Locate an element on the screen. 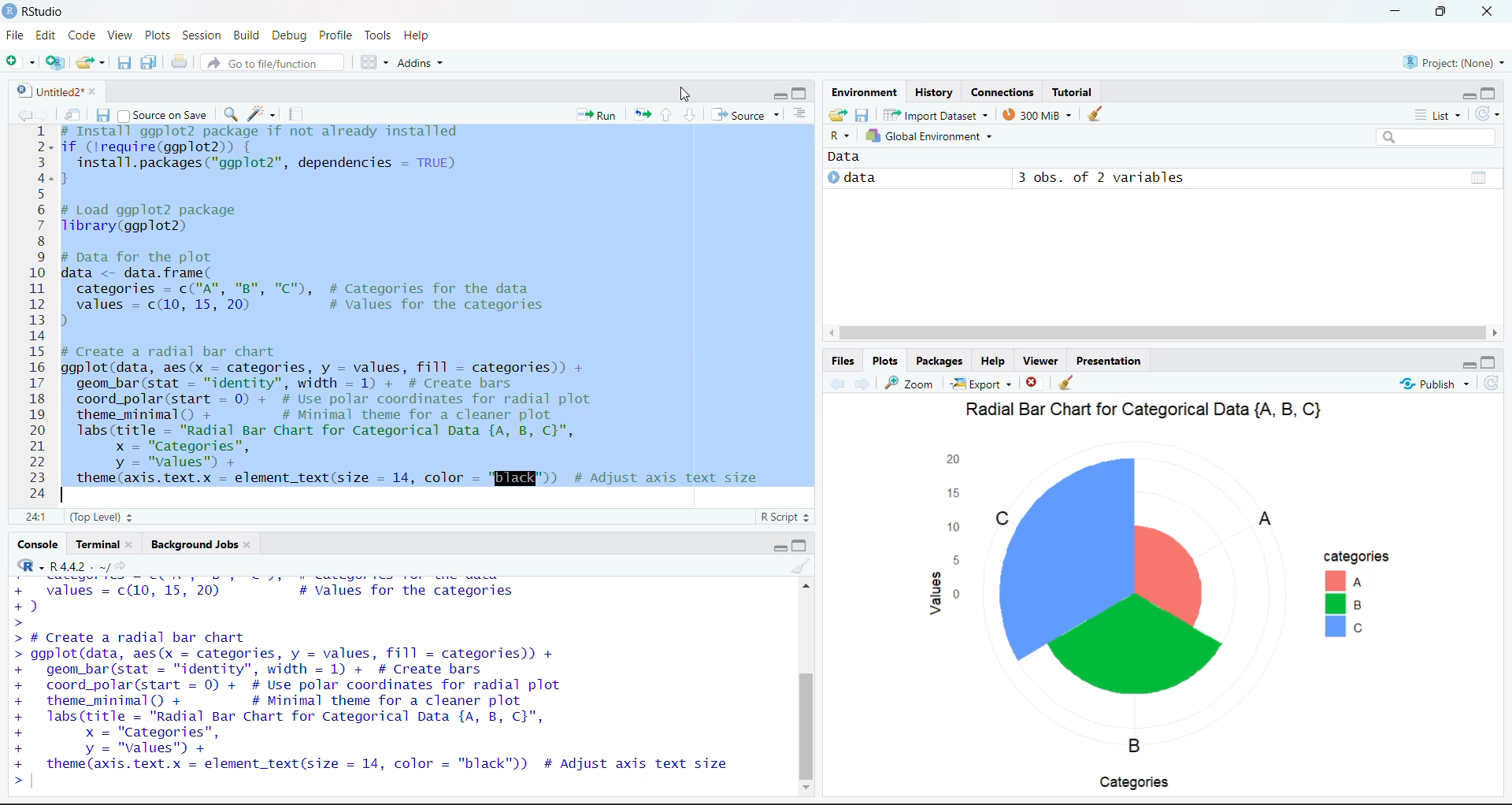  R Script  is located at coordinates (779, 517).